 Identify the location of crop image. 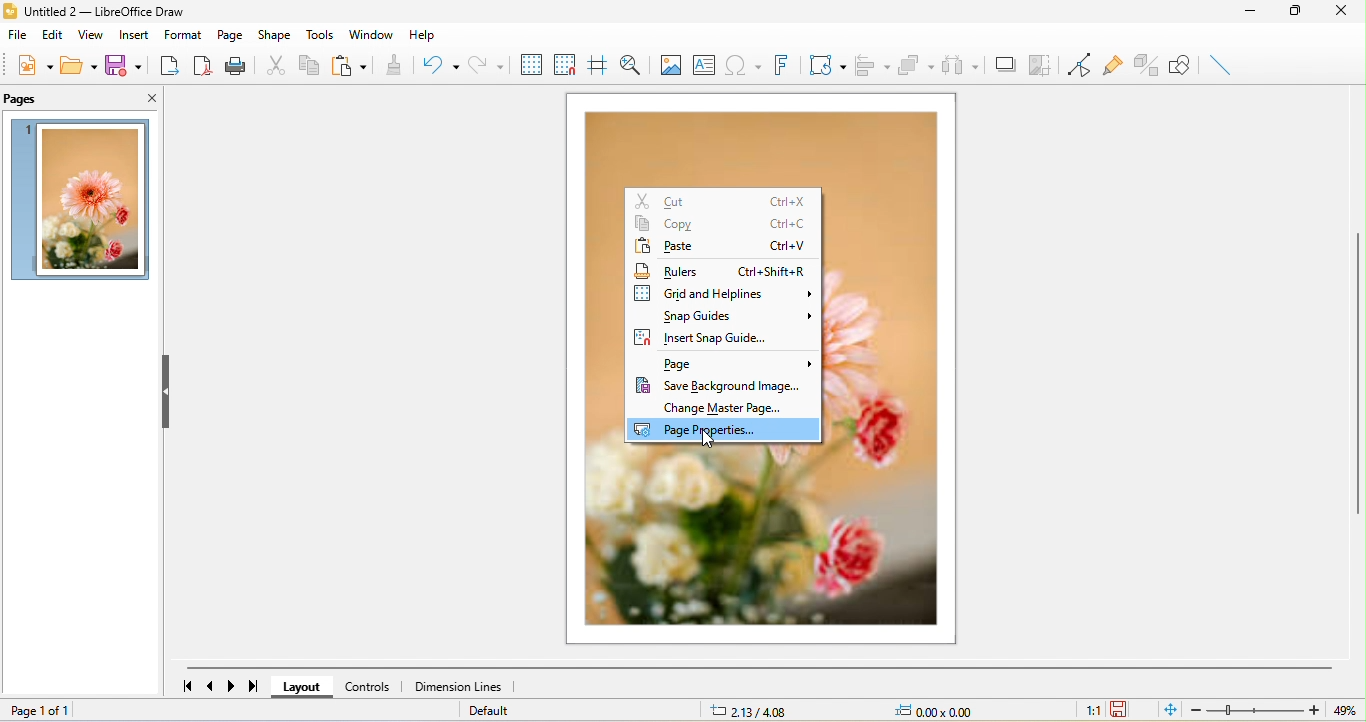
(1039, 63).